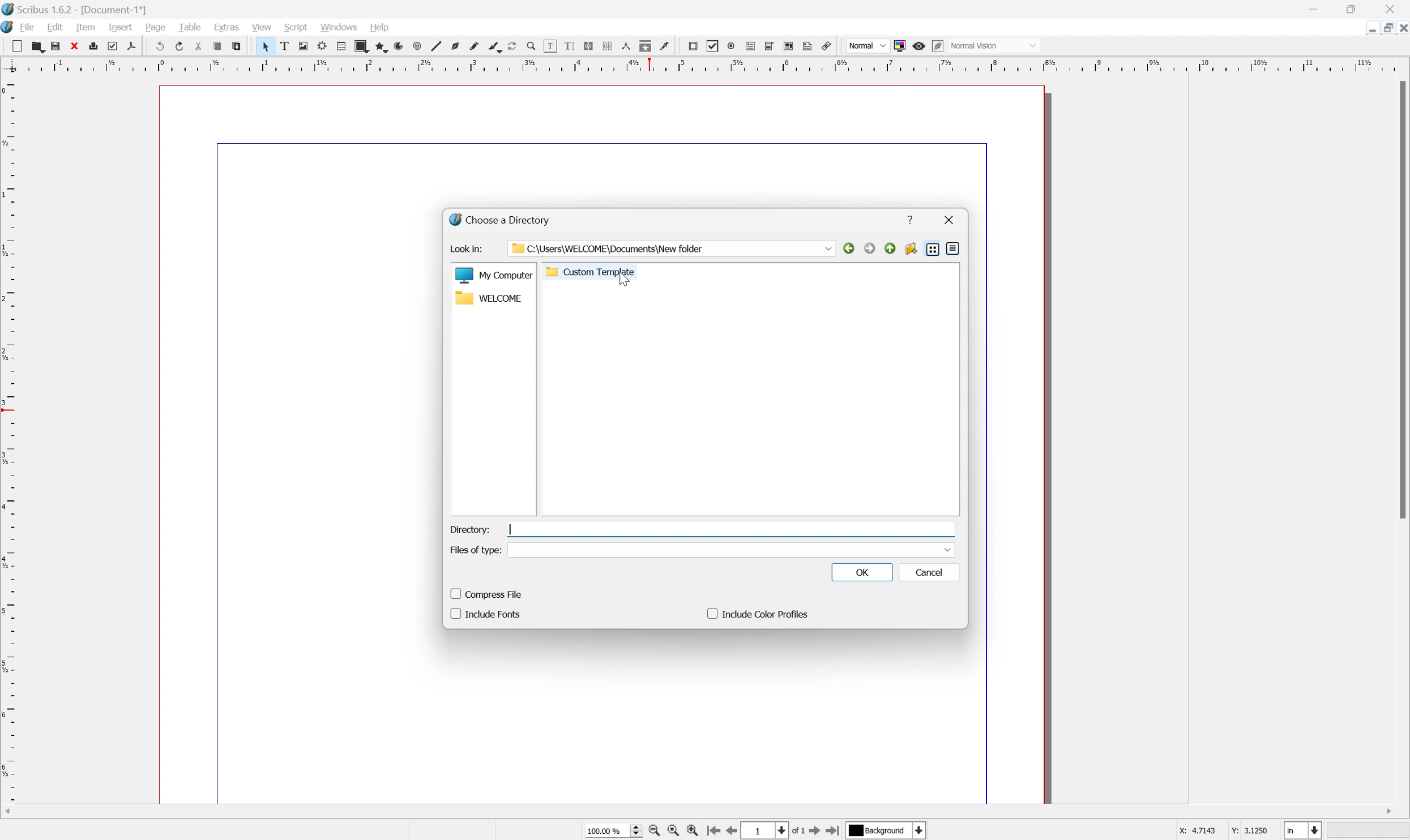  What do you see at coordinates (933, 250) in the screenshot?
I see `list view` at bounding box center [933, 250].